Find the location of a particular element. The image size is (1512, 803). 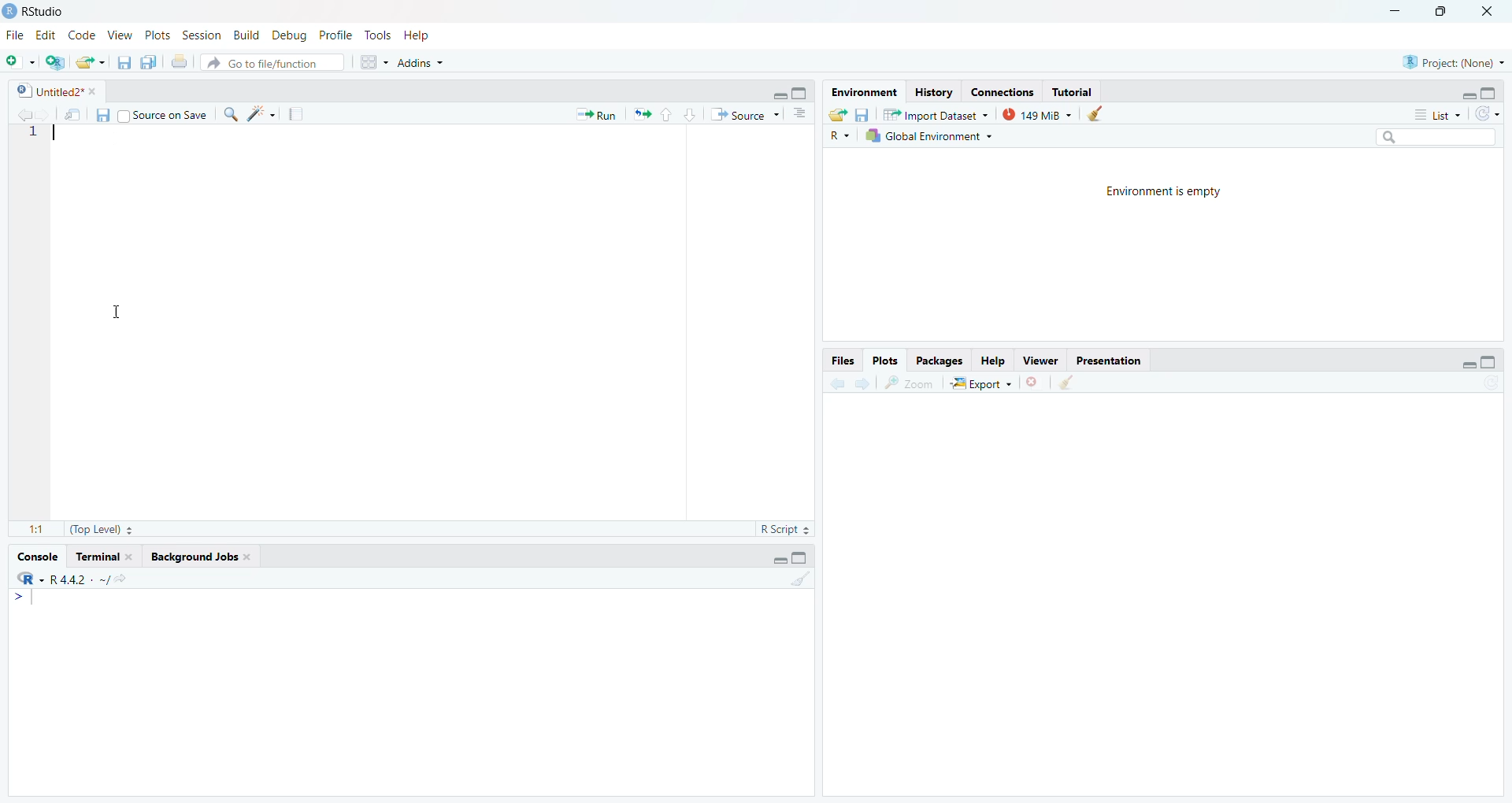

Build is located at coordinates (244, 35).